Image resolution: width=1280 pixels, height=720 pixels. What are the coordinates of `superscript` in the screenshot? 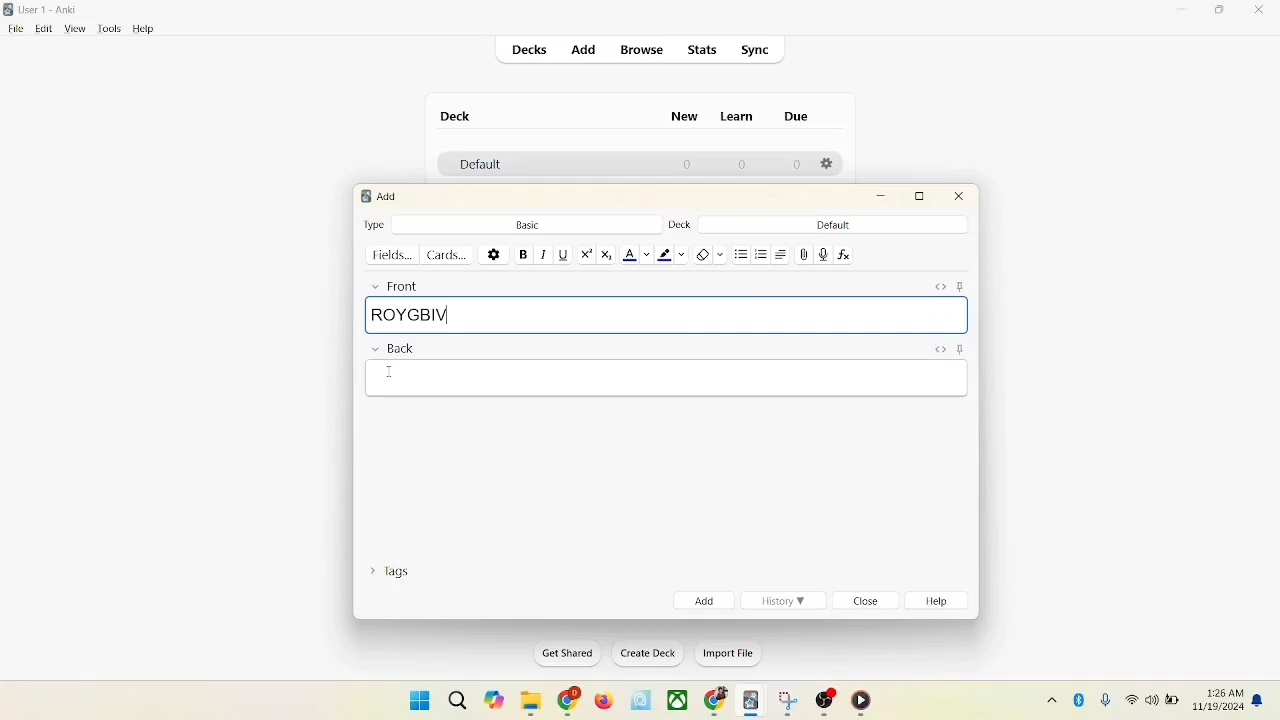 It's located at (586, 254).